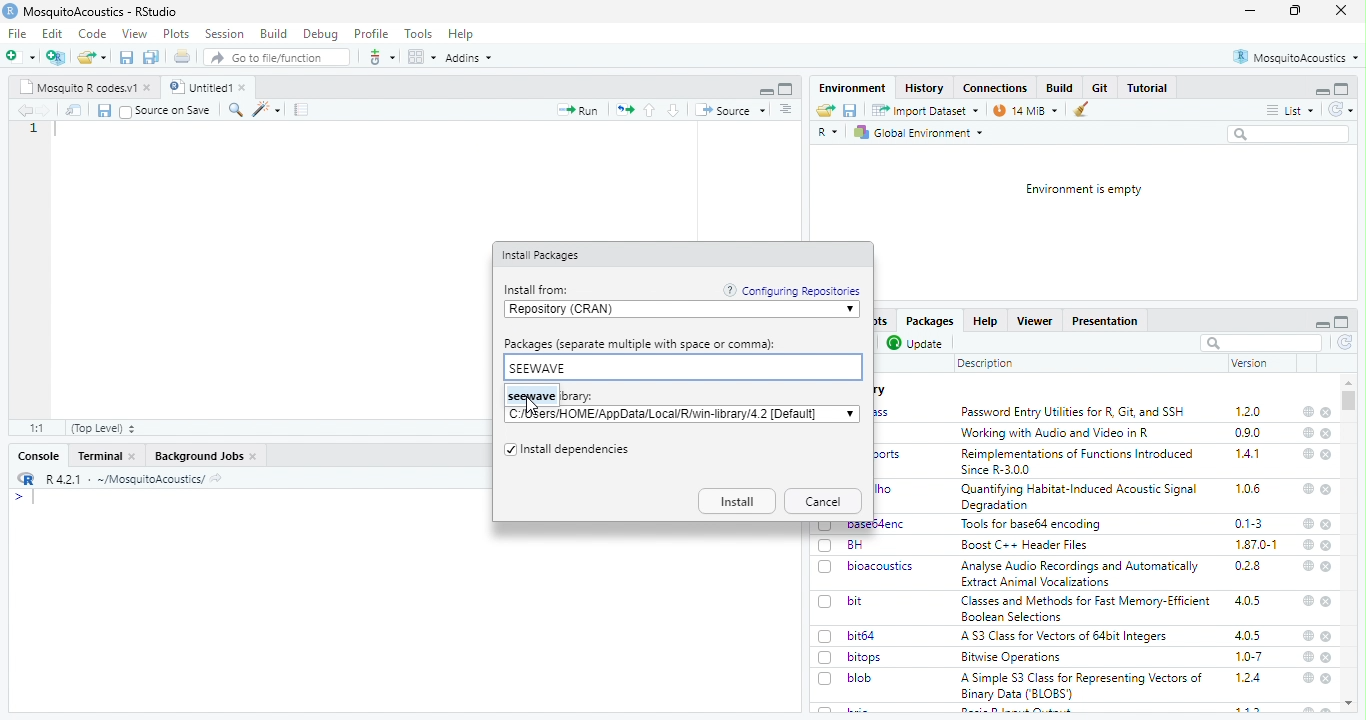 The image size is (1366, 720). What do you see at coordinates (1248, 566) in the screenshot?
I see `028` at bounding box center [1248, 566].